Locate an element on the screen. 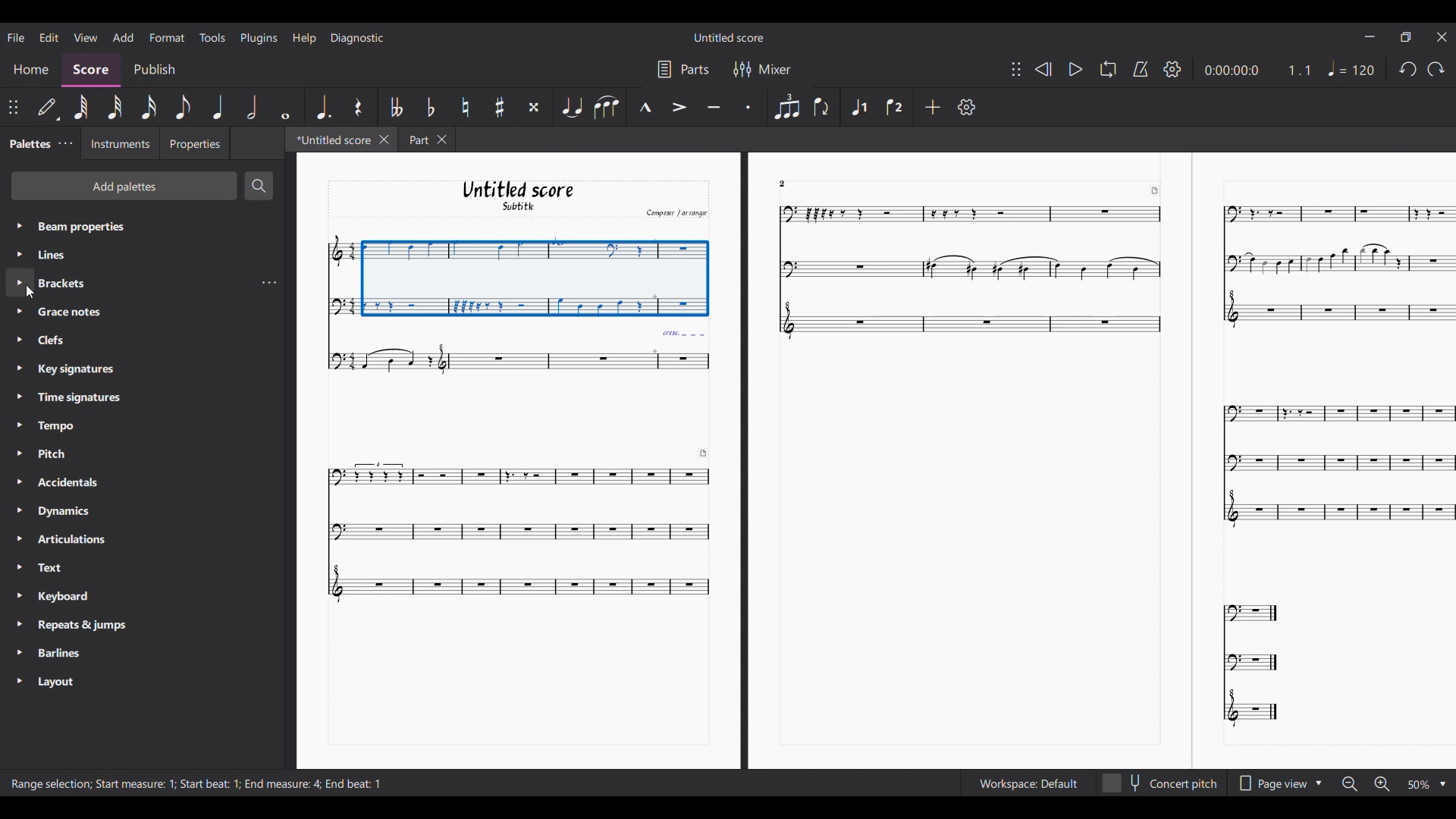 The width and height of the screenshot is (1456, 819).  is located at coordinates (1338, 212).